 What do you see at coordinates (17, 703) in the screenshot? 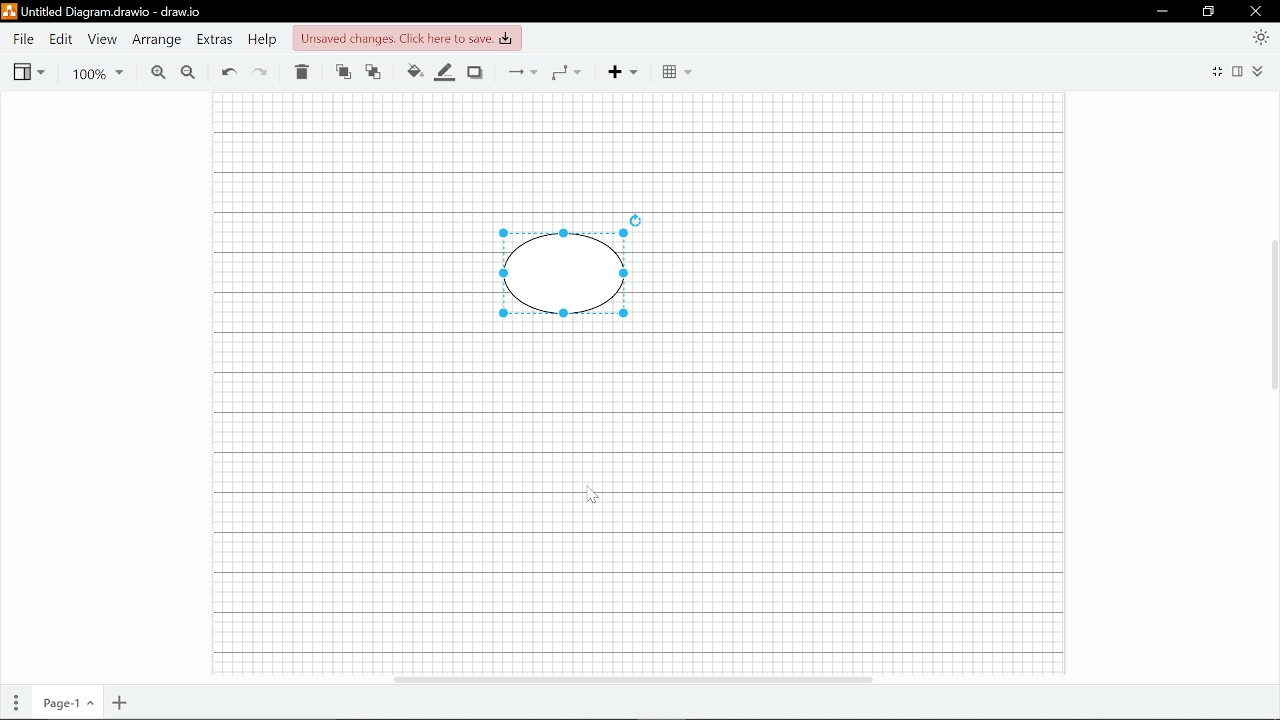
I see `Pages` at bounding box center [17, 703].